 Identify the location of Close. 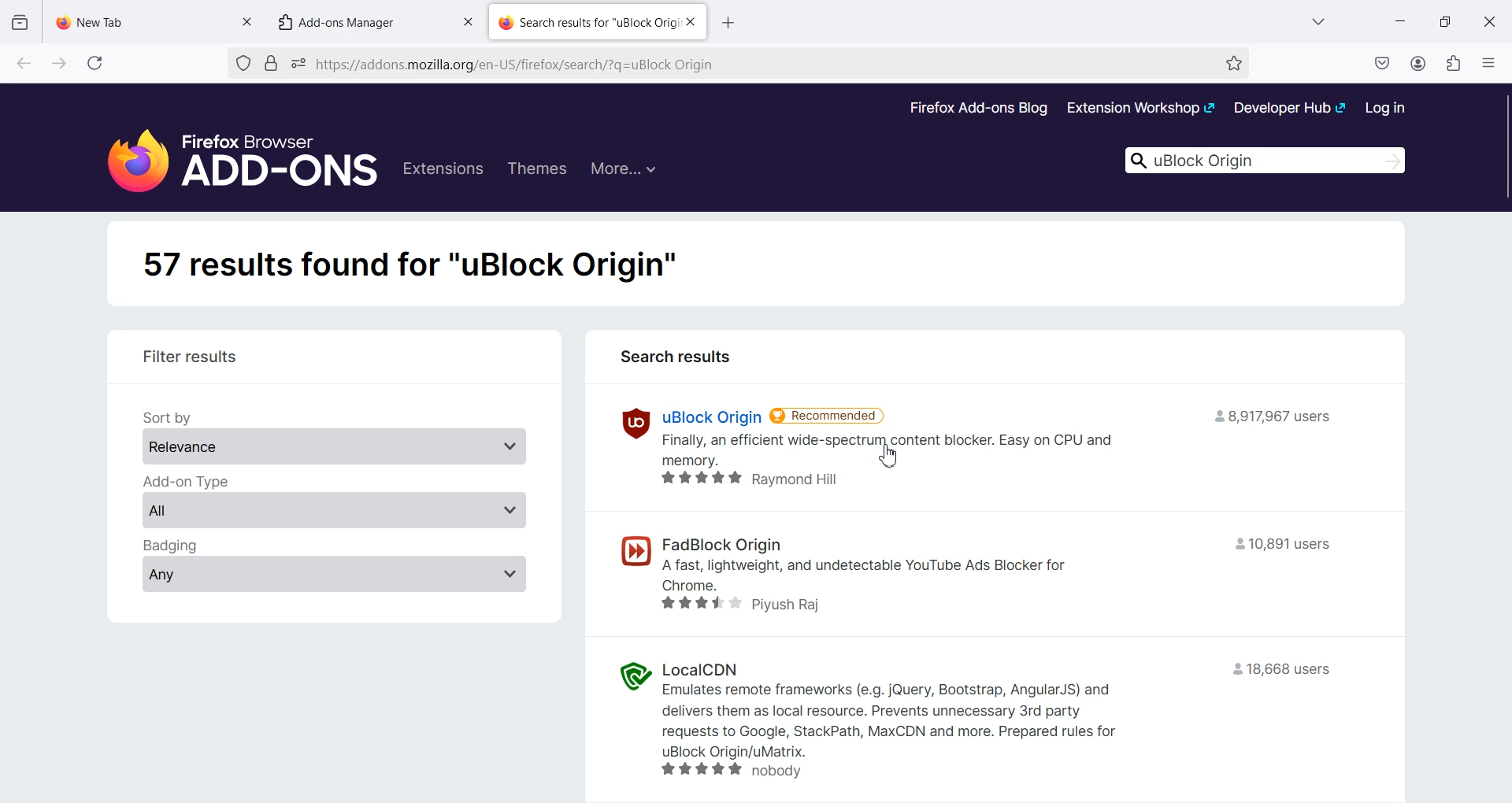
(1489, 20).